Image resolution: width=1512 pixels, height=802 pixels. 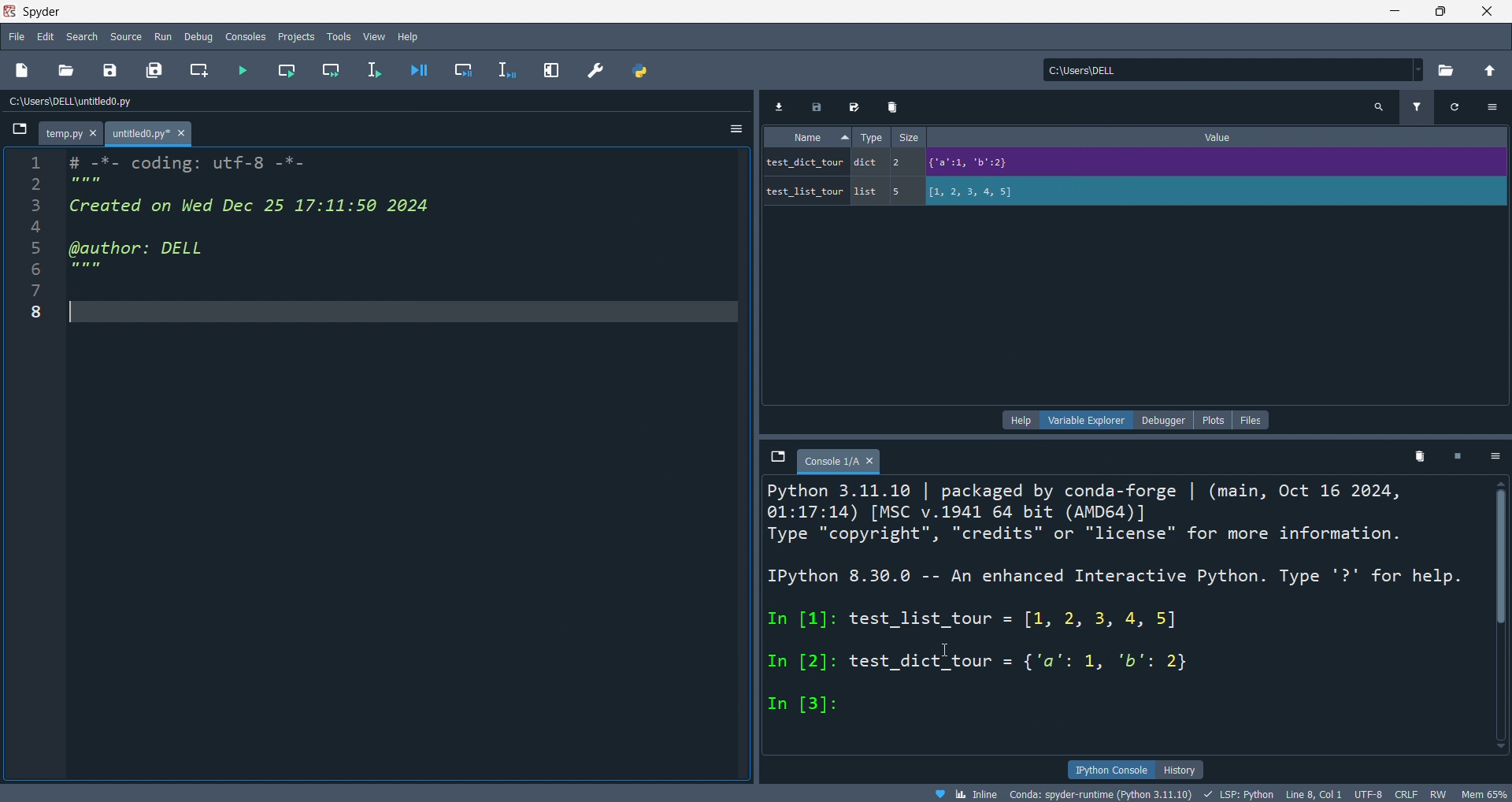 What do you see at coordinates (1108, 605) in the screenshot?
I see `Python 3.11.10 | packaged by conda-forge | (main, Oct 16 2024, 01:17:14)
[MSC v.1941 64 bit (AMD64)]

Type "copyright", "credits" or "license" for more information.

IPython 8.30.0 -- An enhanced Interactive Python. Type '?' for help.

In [1]: test_list_tour = [1, 2, 3, 4, 5]

In [2]: test_dict_tour = {'a’': 1, 'b': 2}

In [3]:` at bounding box center [1108, 605].